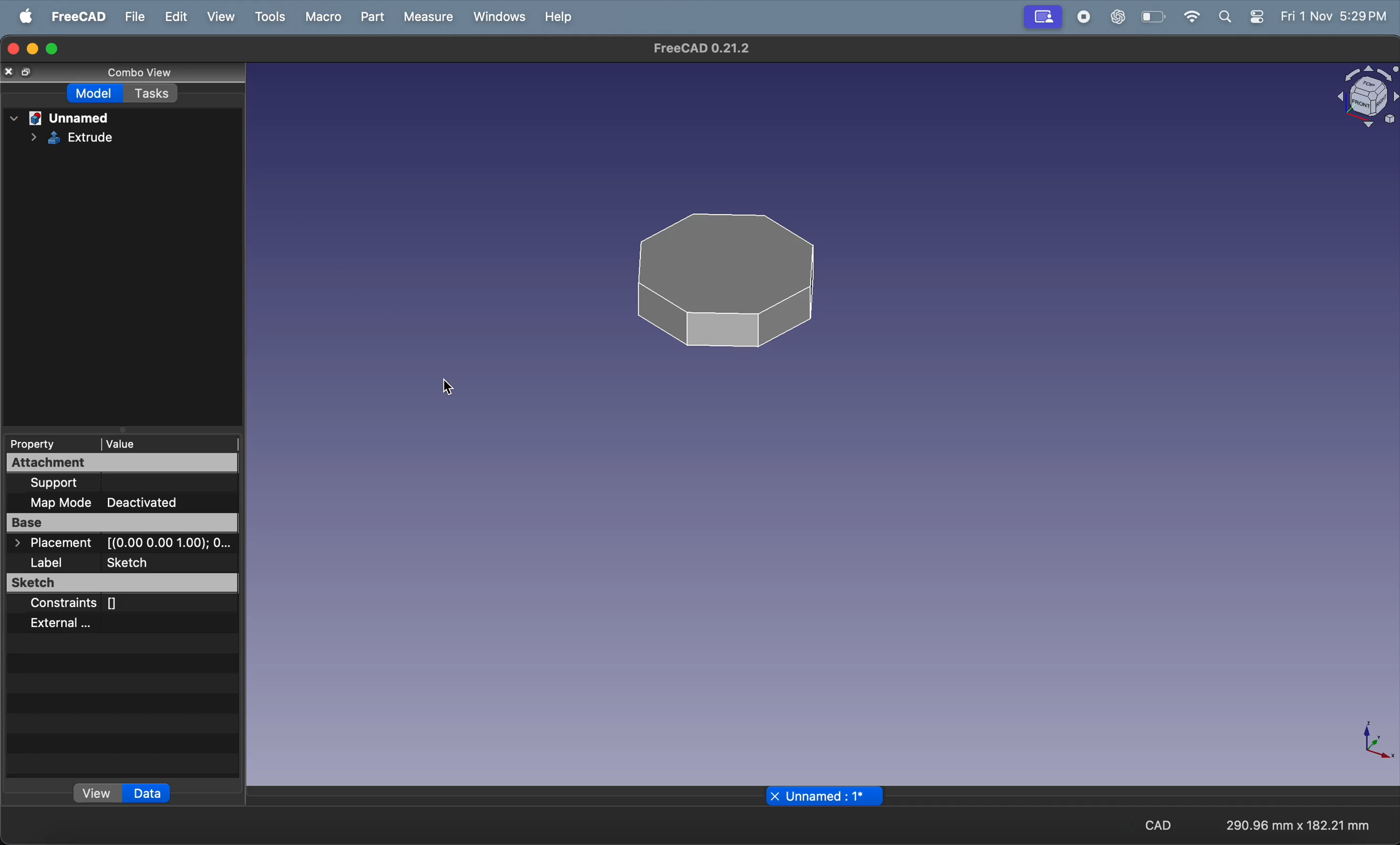 The image size is (1400, 845). Describe the element at coordinates (19, 73) in the screenshot. I see `copy` at that location.